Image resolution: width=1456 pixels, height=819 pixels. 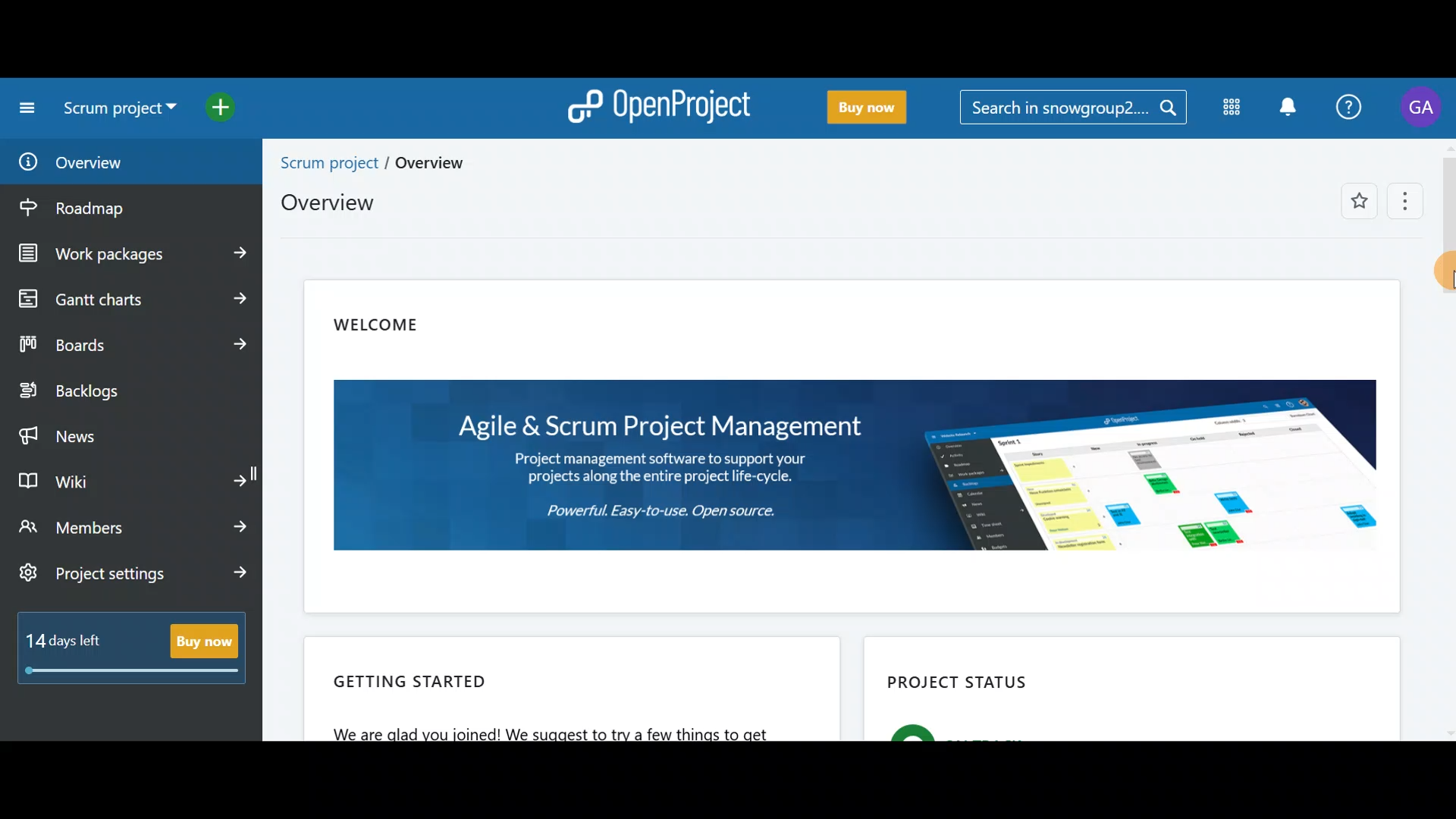 What do you see at coordinates (856, 444) in the screenshot?
I see `Welcome note` at bounding box center [856, 444].